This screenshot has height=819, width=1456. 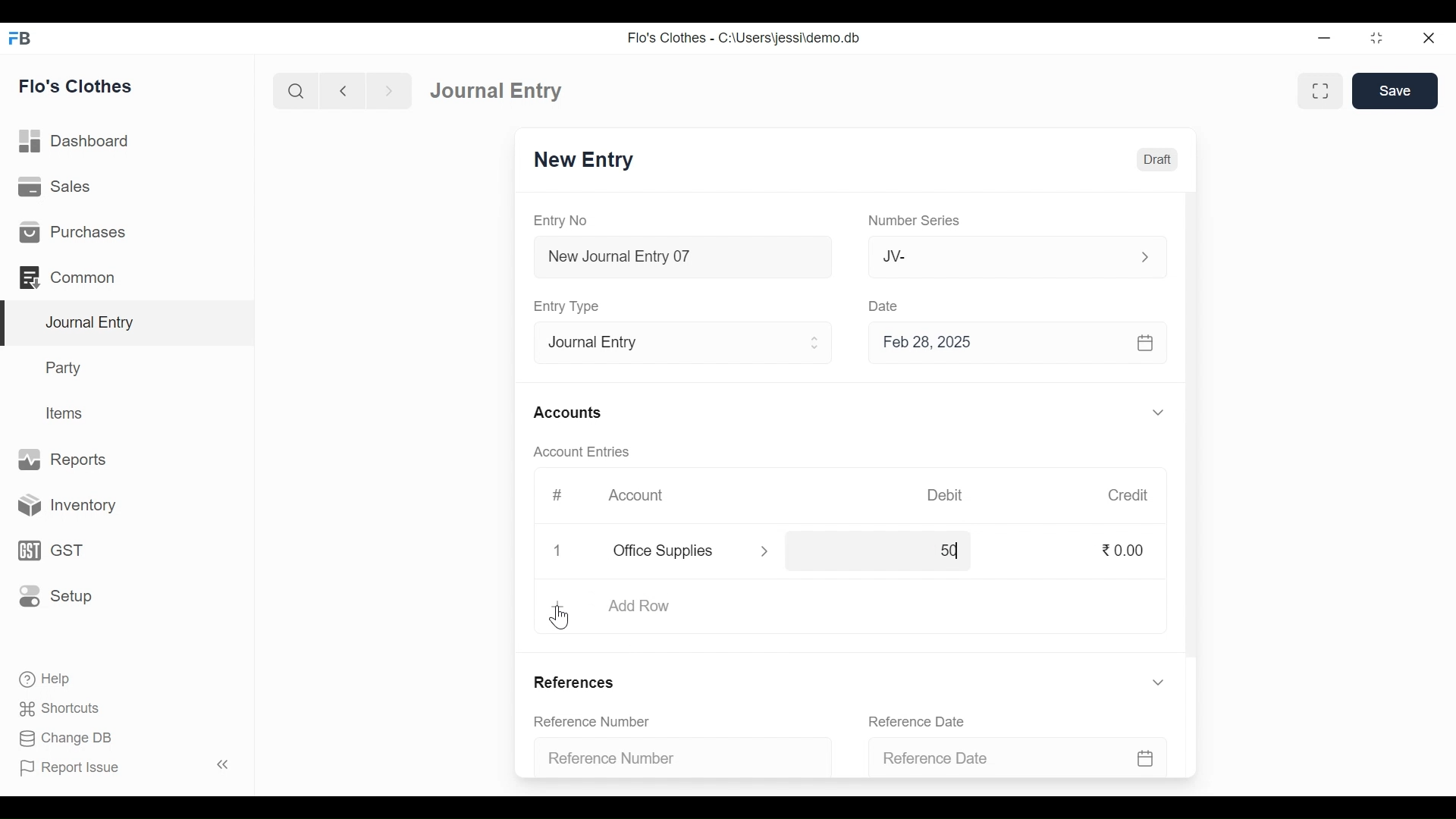 I want to click on Purchases, so click(x=73, y=231).